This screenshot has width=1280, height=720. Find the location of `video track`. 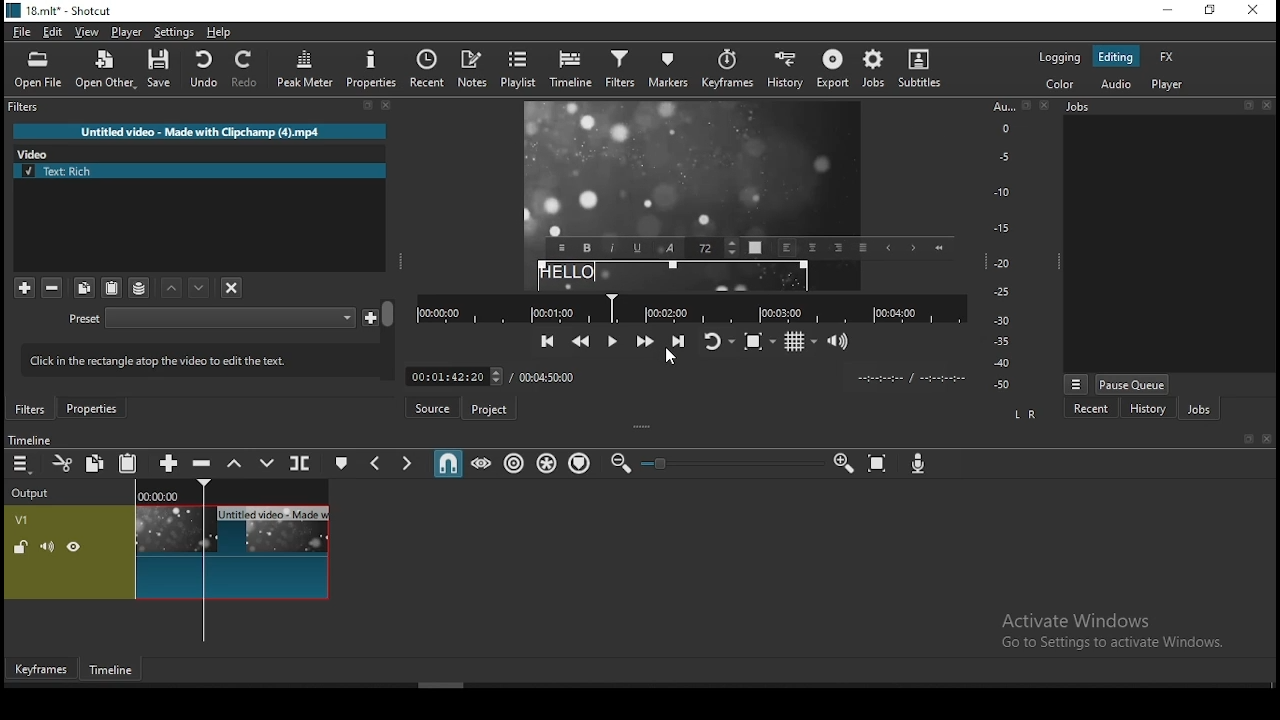

video track is located at coordinates (167, 552).